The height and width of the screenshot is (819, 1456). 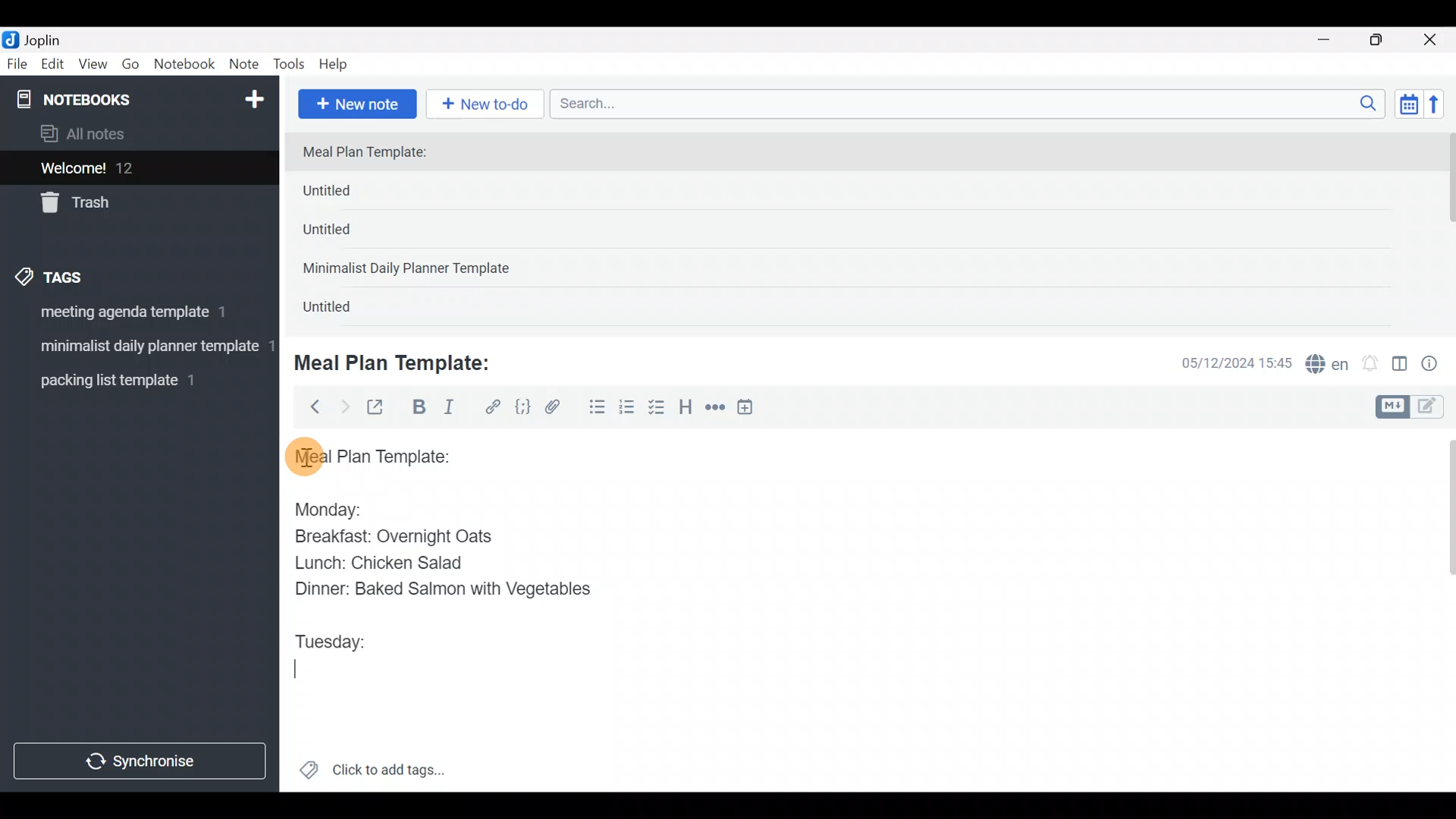 What do you see at coordinates (52, 38) in the screenshot?
I see `Joplin` at bounding box center [52, 38].